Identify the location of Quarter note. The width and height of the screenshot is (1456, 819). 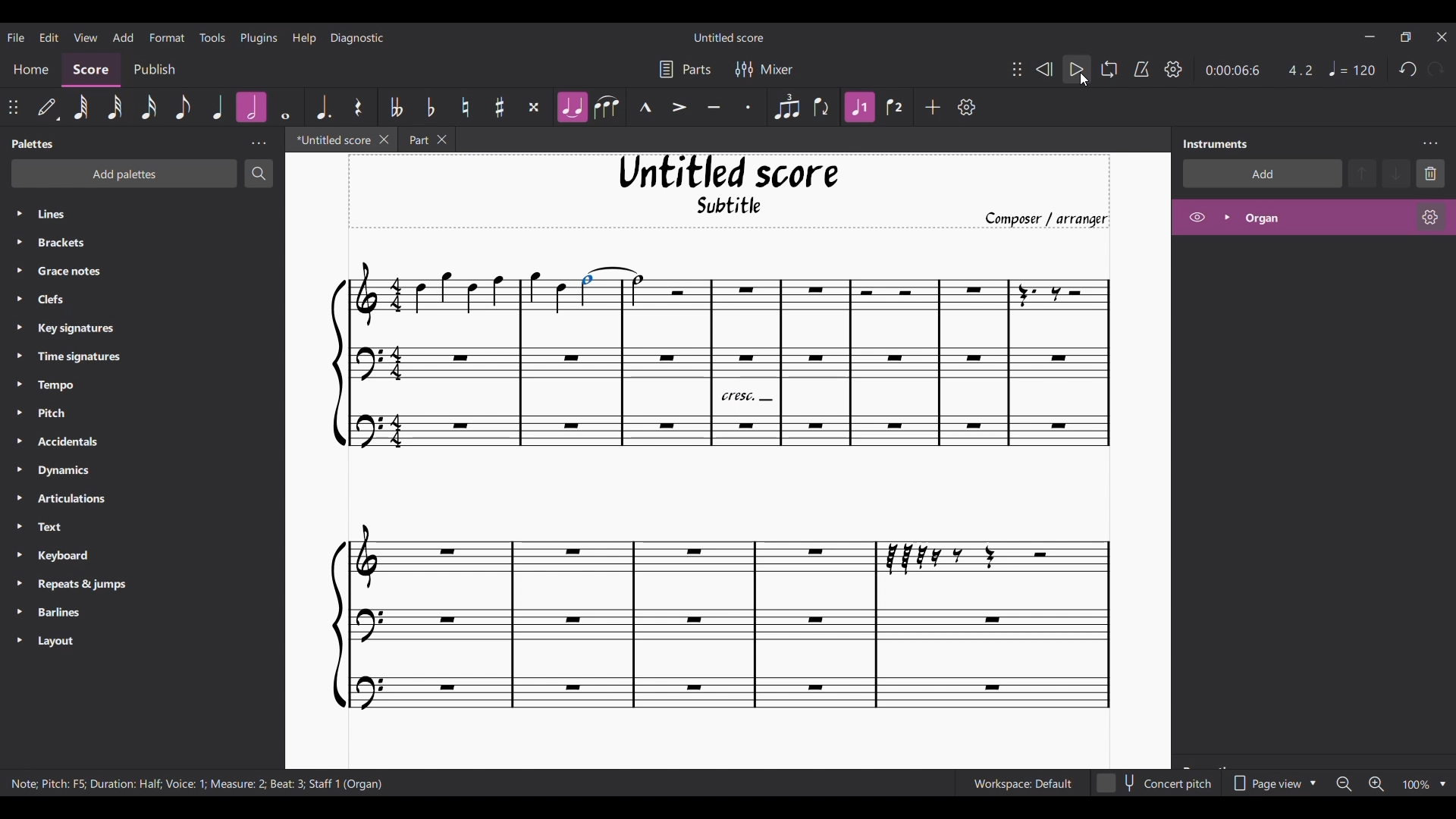
(218, 107).